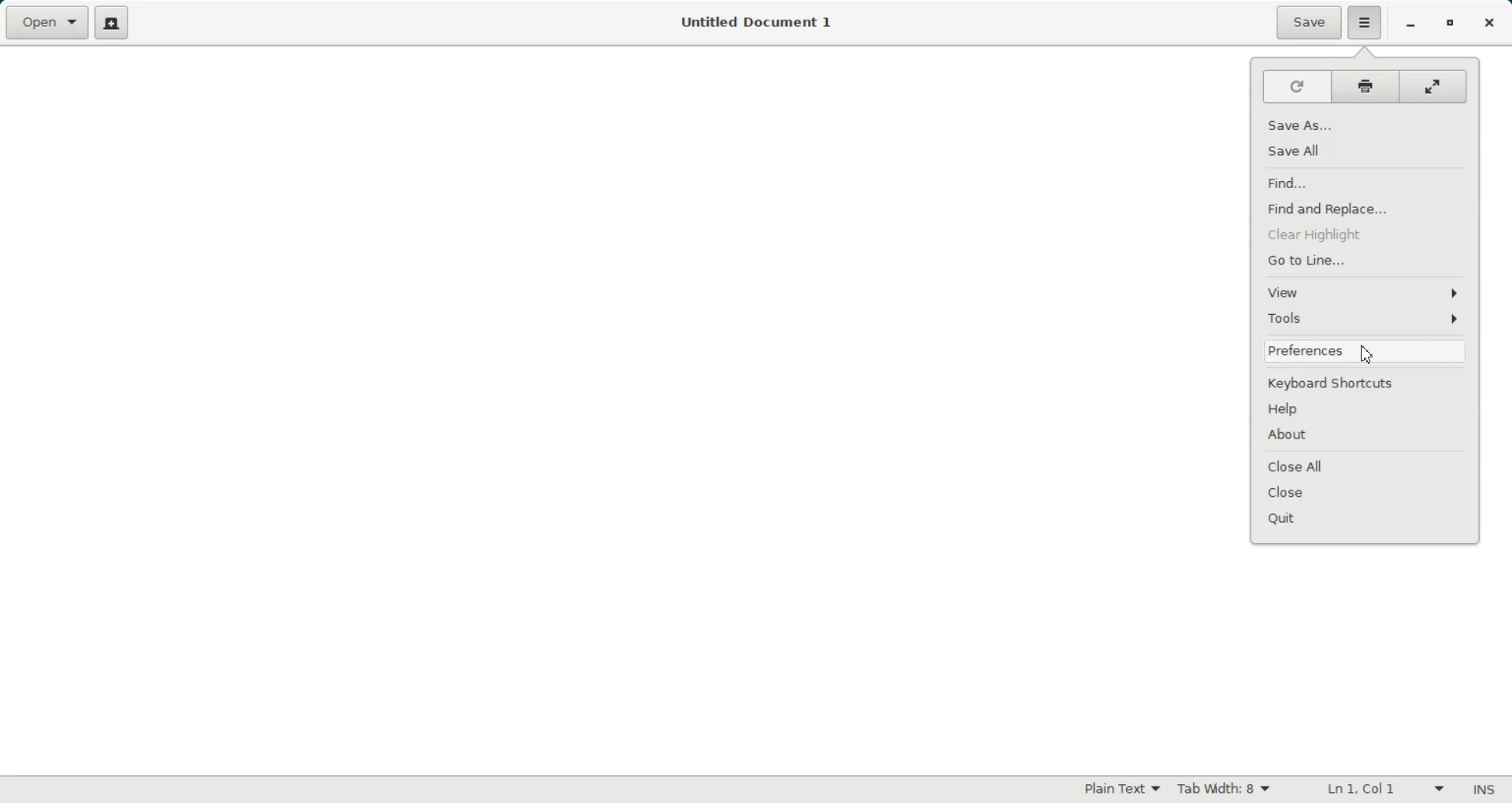 Image resolution: width=1512 pixels, height=803 pixels. What do you see at coordinates (1366, 383) in the screenshot?
I see `Keyboard Shortcuts` at bounding box center [1366, 383].